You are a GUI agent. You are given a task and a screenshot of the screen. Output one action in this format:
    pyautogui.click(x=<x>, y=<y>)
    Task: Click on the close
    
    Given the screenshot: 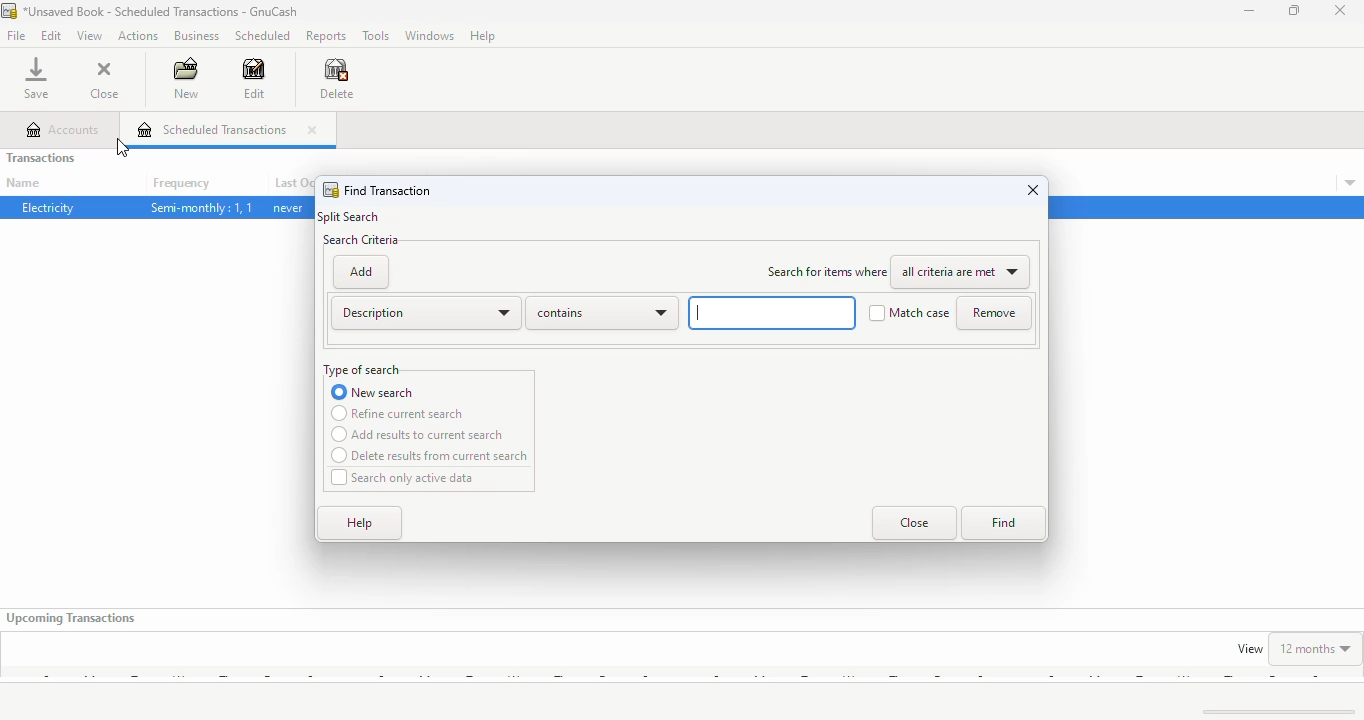 What is the action you would take?
    pyautogui.click(x=914, y=522)
    